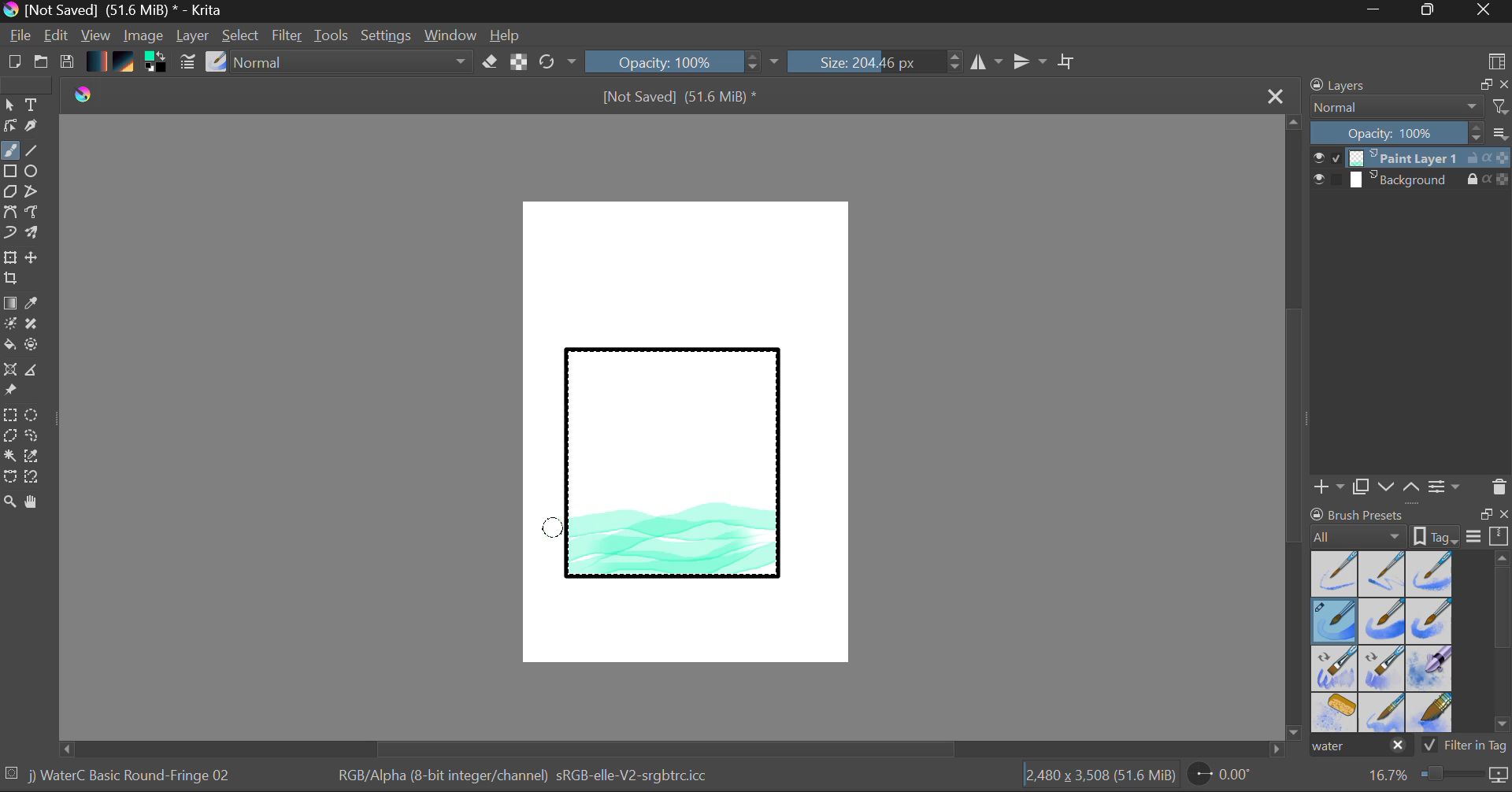 This screenshot has height=792, width=1512. Describe the element at coordinates (1277, 95) in the screenshot. I see `Close` at that location.